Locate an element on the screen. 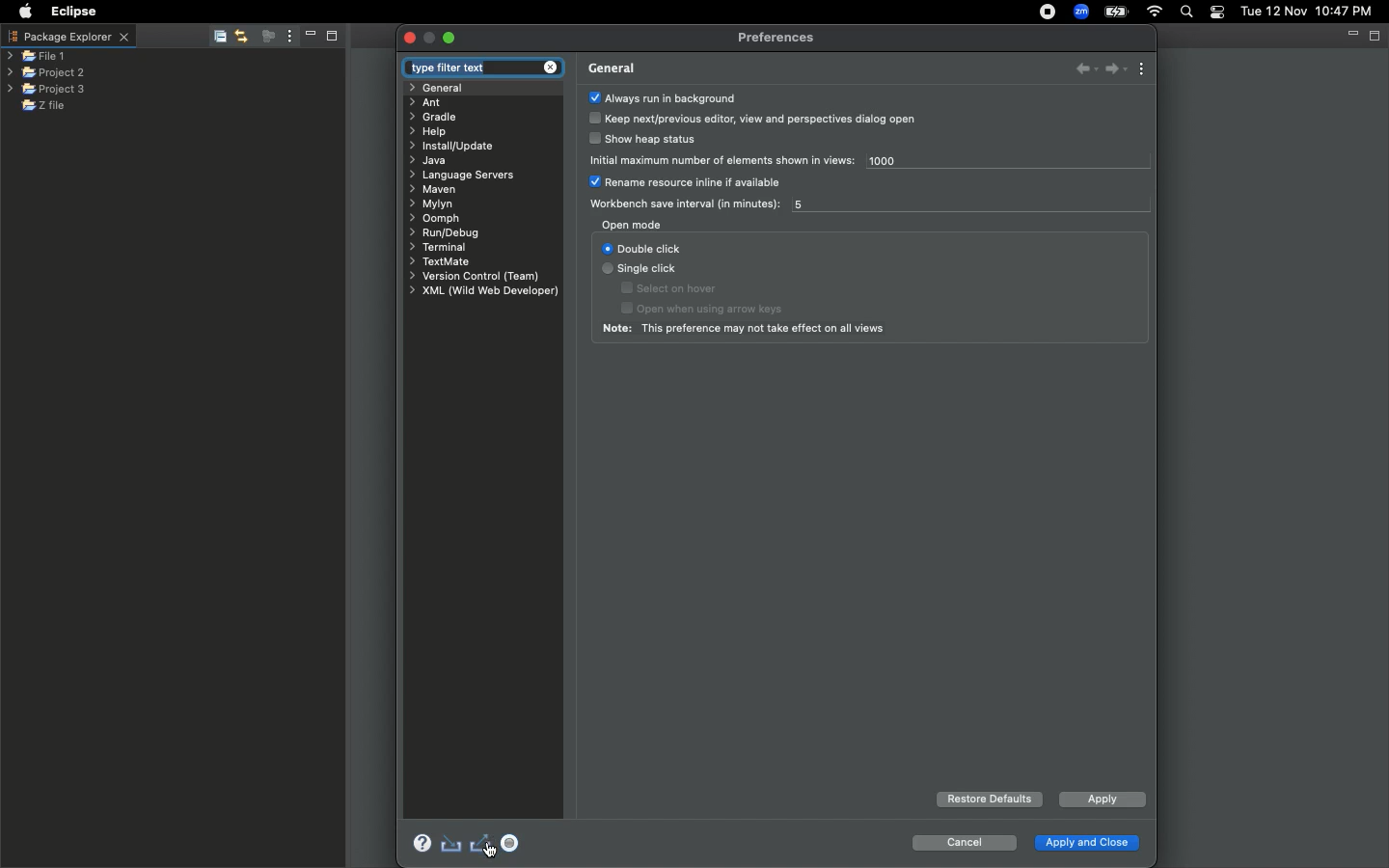 The width and height of the screenshot is (1389, 868). Apply and close is located at coordinates (1087, 840).